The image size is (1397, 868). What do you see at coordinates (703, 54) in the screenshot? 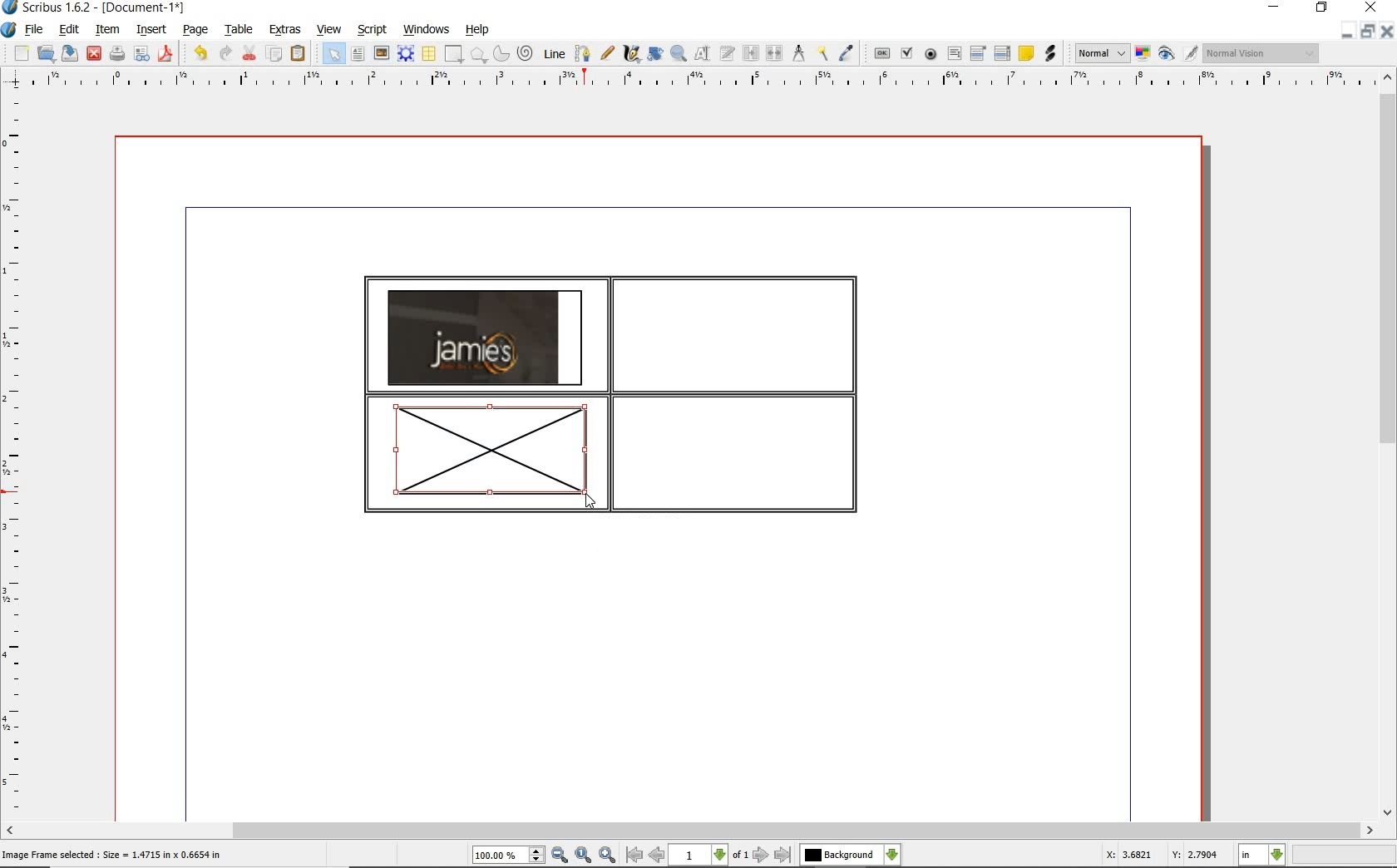
I see `edit contents of frame` at bounding box center [703, 54].